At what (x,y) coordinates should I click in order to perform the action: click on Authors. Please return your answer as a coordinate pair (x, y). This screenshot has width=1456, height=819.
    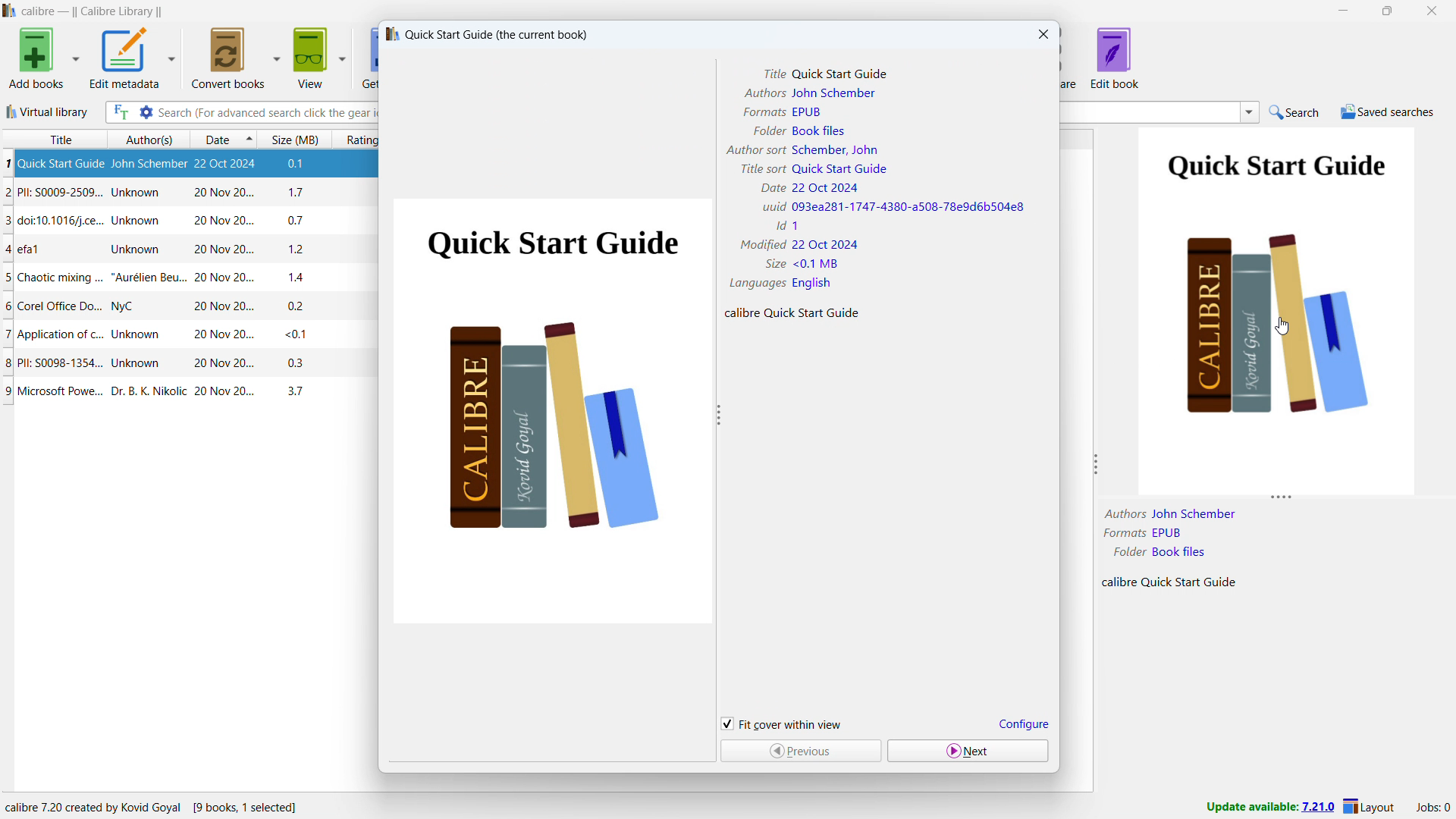
    Looking at the image, I should click on (764, 93).